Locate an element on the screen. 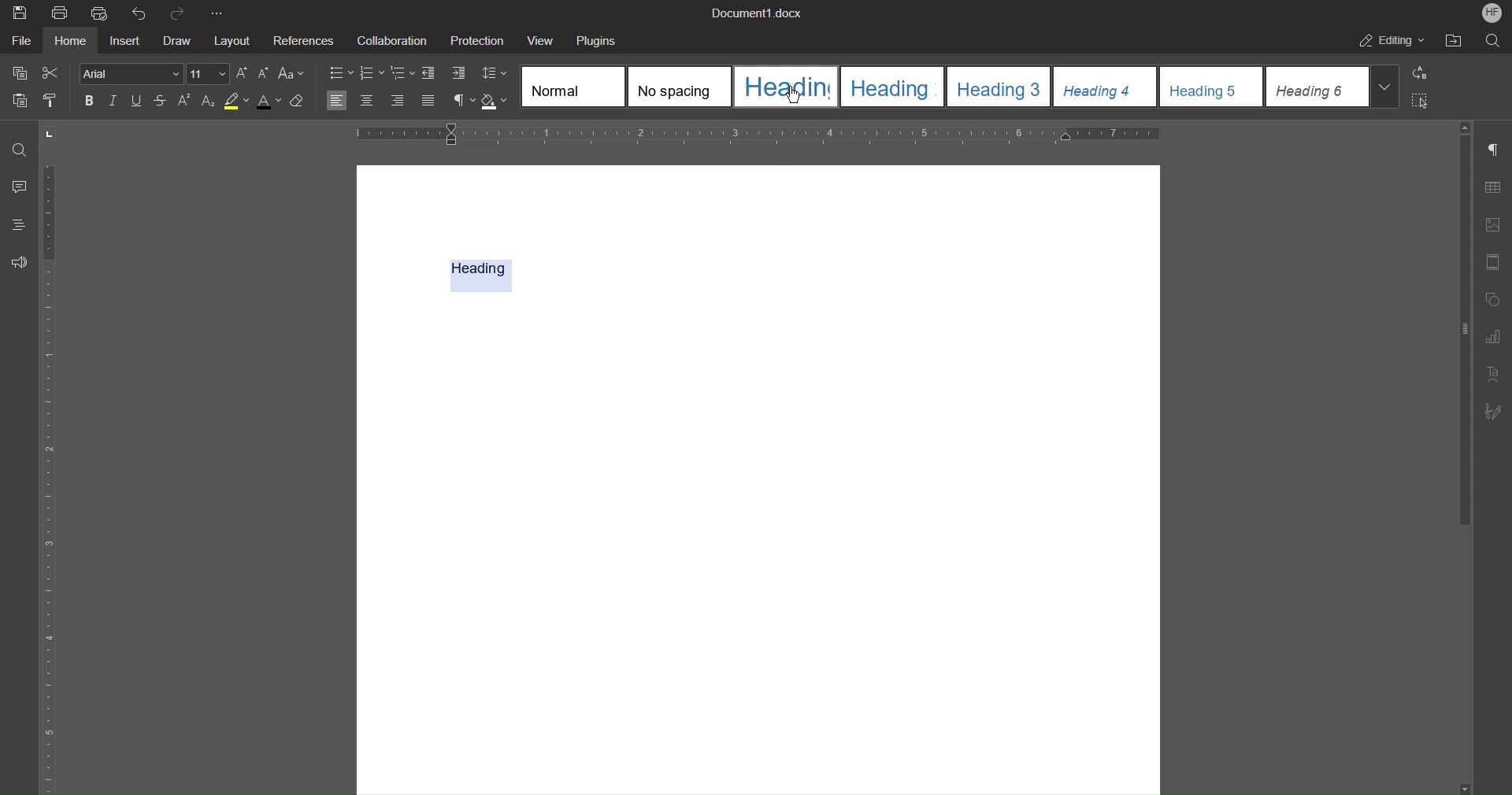  Bold is located at coordinates (90, 102).